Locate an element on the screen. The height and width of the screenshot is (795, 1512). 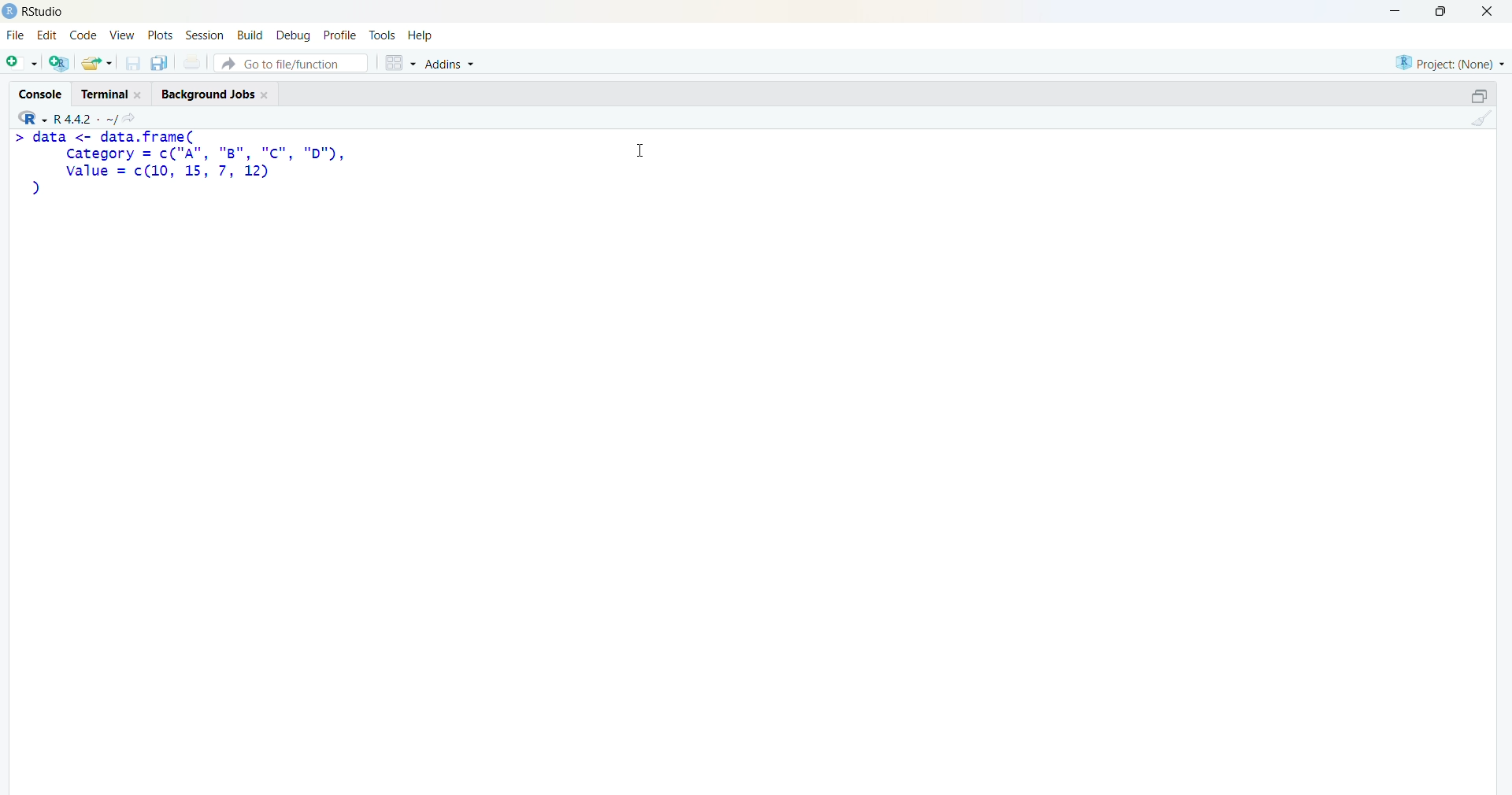
Rstudio is located at coordinates (48, 12).